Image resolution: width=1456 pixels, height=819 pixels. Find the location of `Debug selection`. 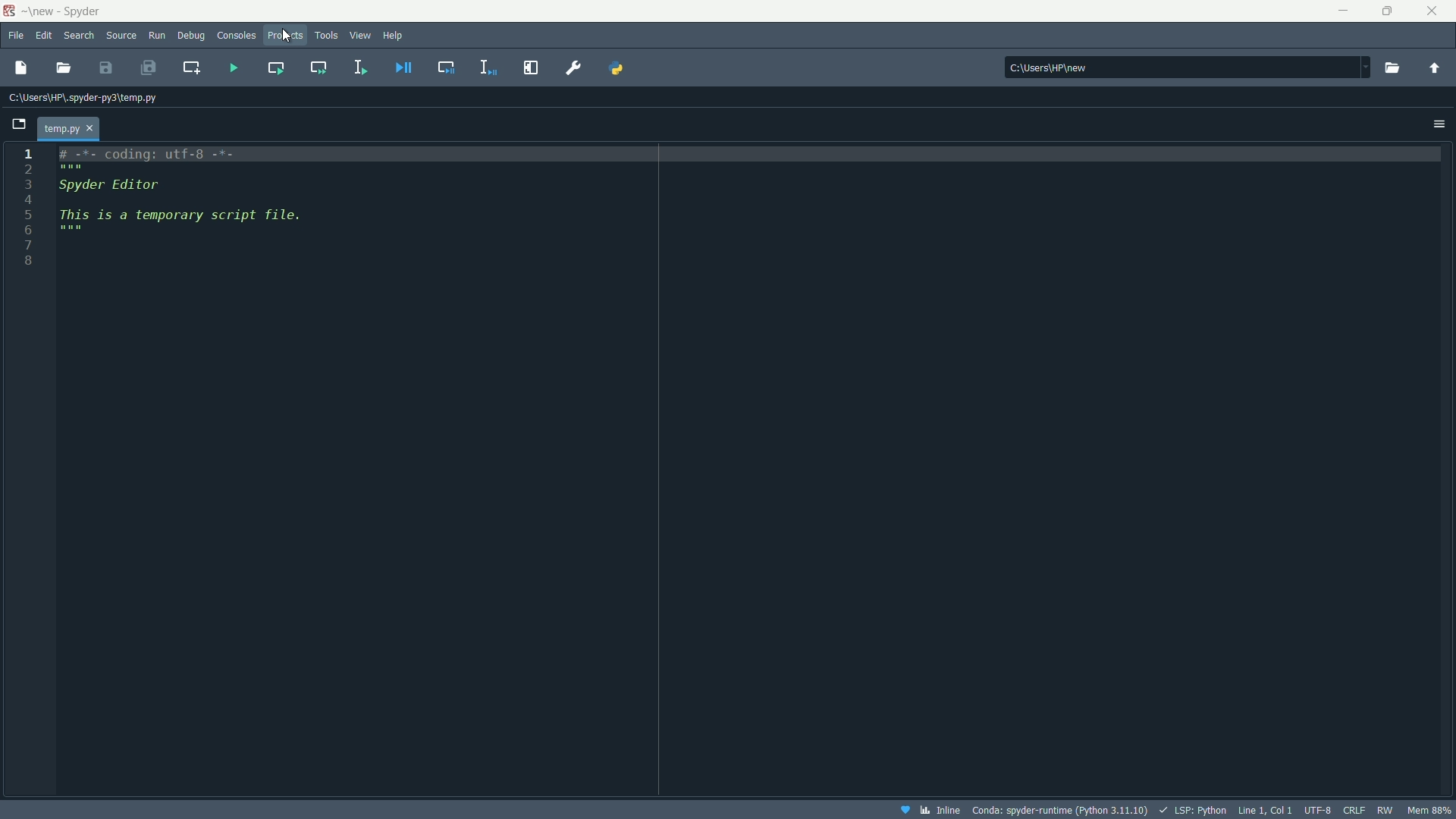

Debug selection is located at coordinates (448, 65).